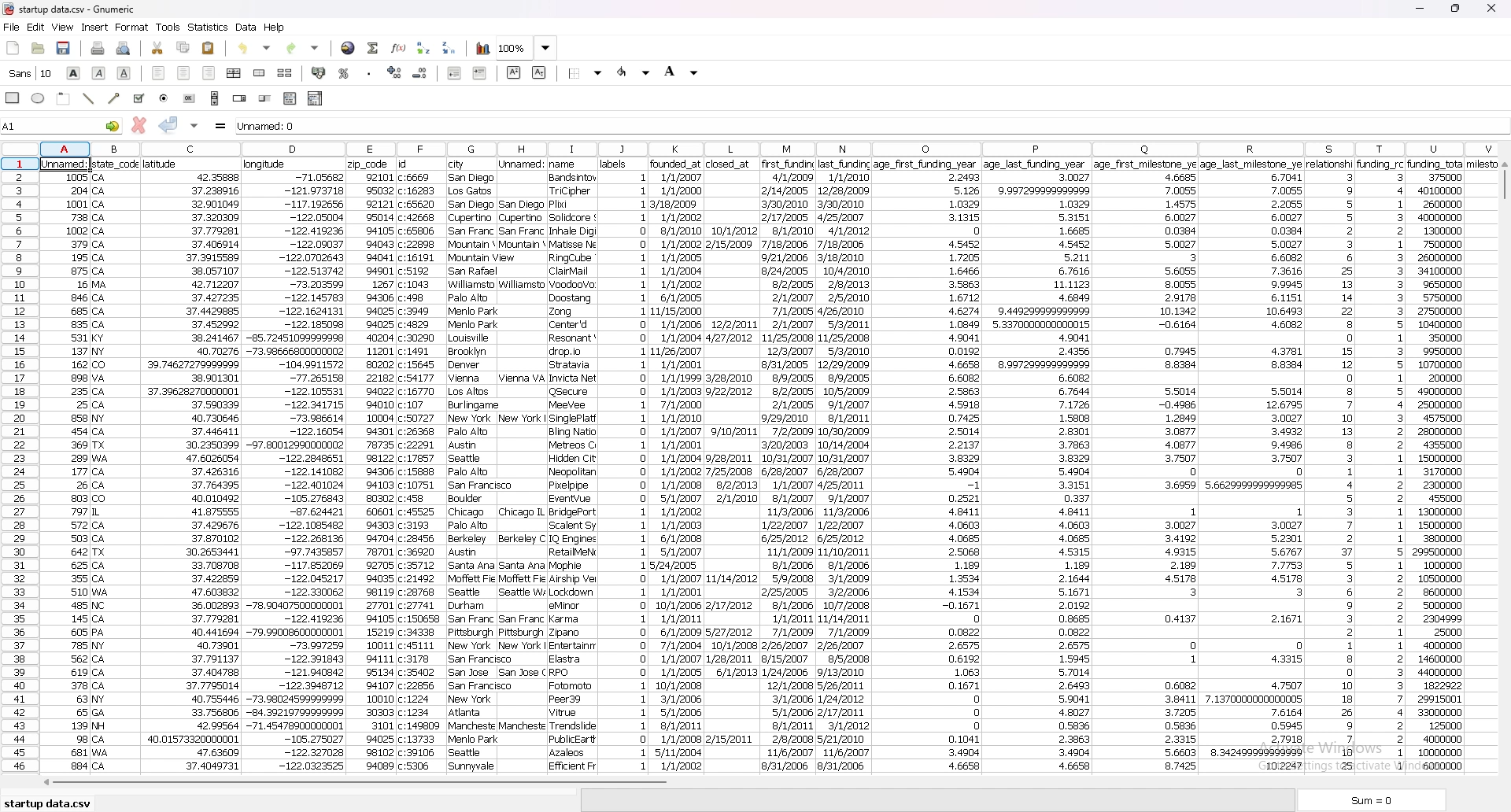 The width and height of the screenshot is (1511, 812). I want to click on accounting, so click(320, 72).